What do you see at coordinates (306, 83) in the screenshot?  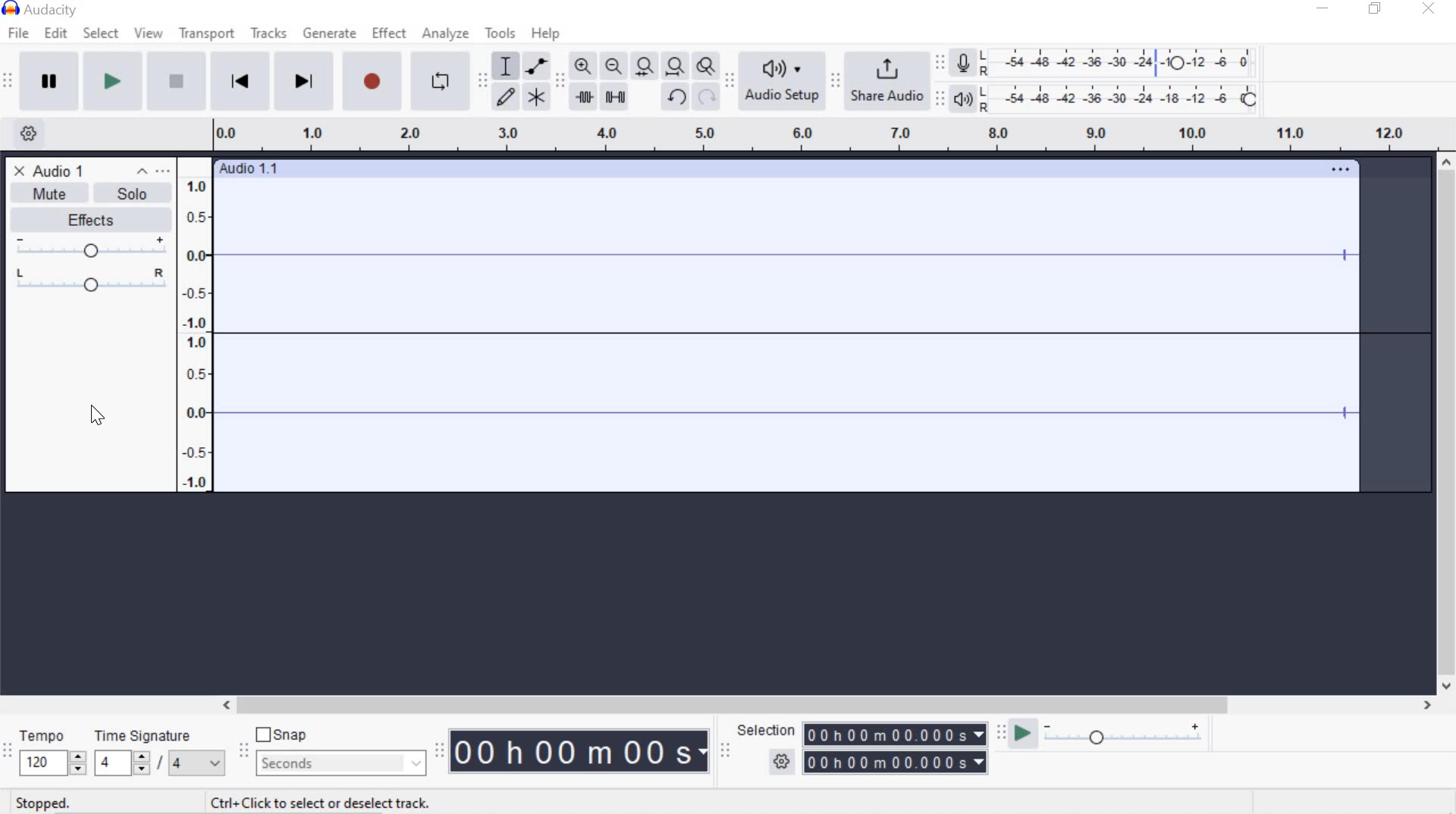 I see `Skip to End` at bounding box center [306, 83].